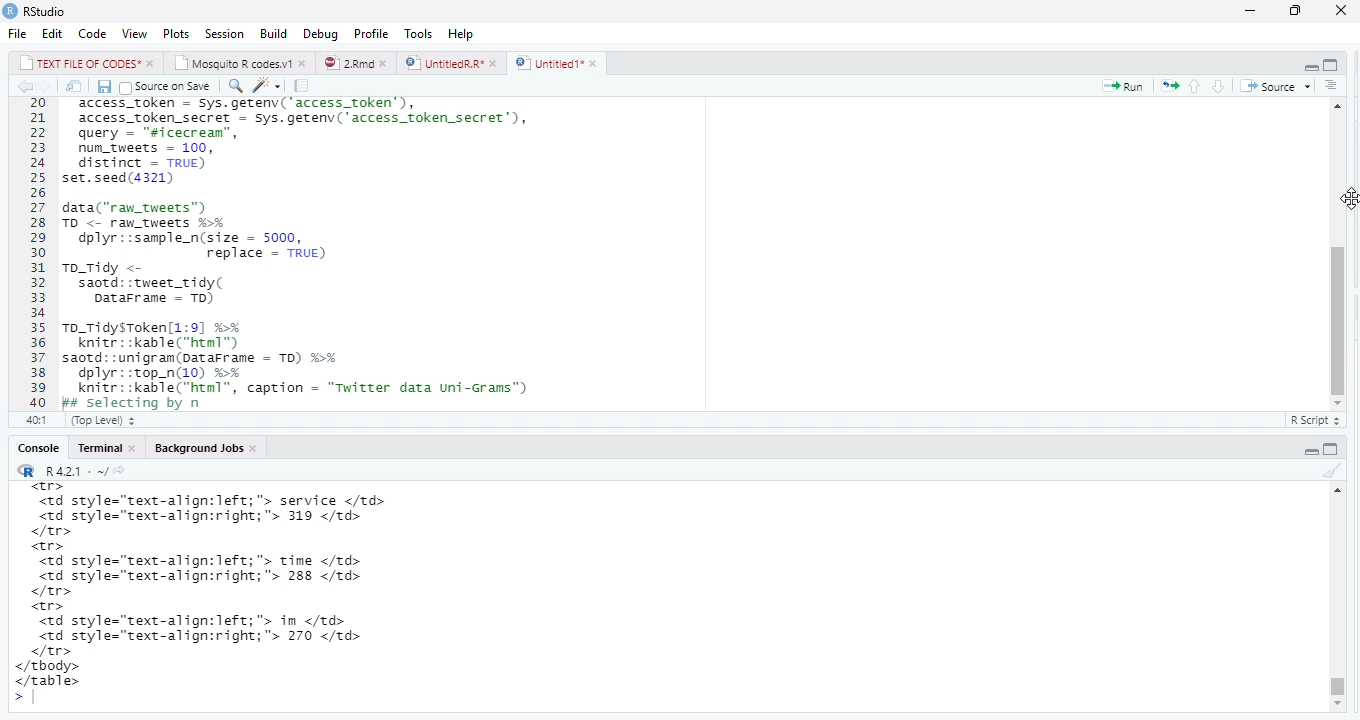 Image resolution: width=1360 pixels, height=720 pixels. Describe the element at coordinates (239, 62) in the screenshot. I see `| Mosauito R codes.y!` at that location.